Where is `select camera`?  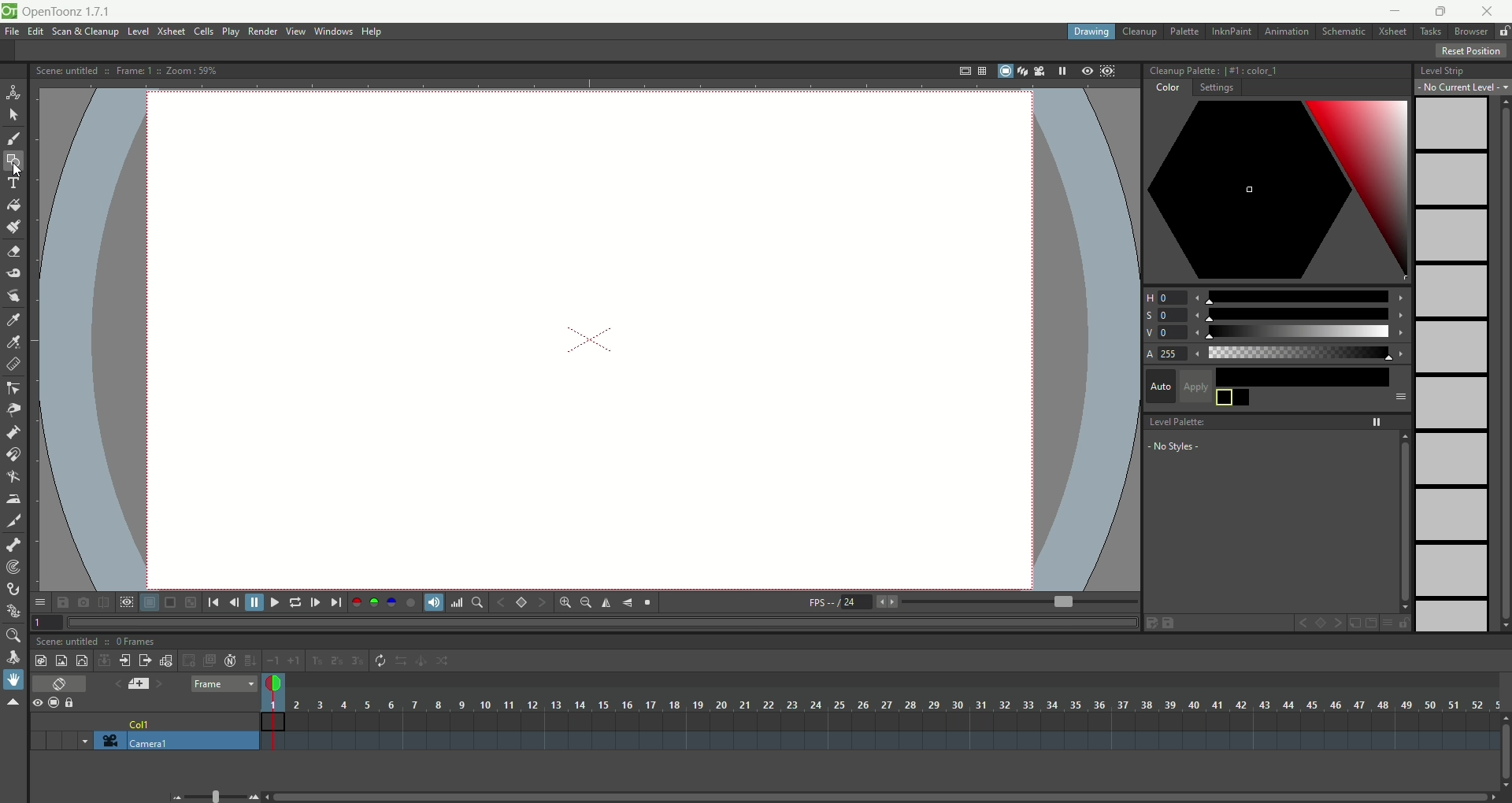 select camera is located at coordinates (107, 741).